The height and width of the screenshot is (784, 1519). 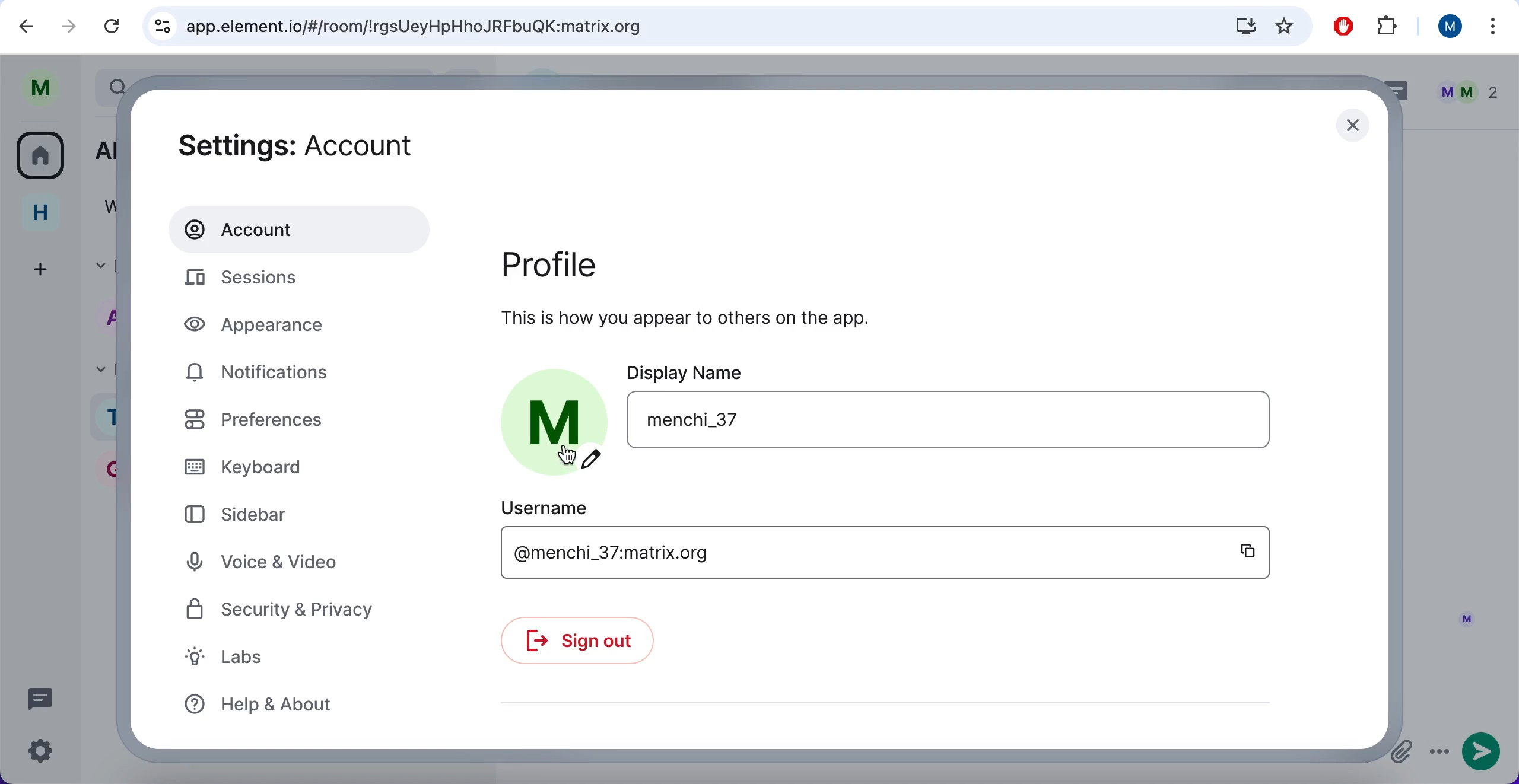 I want to click on sessions, so click(x=281, y=280).